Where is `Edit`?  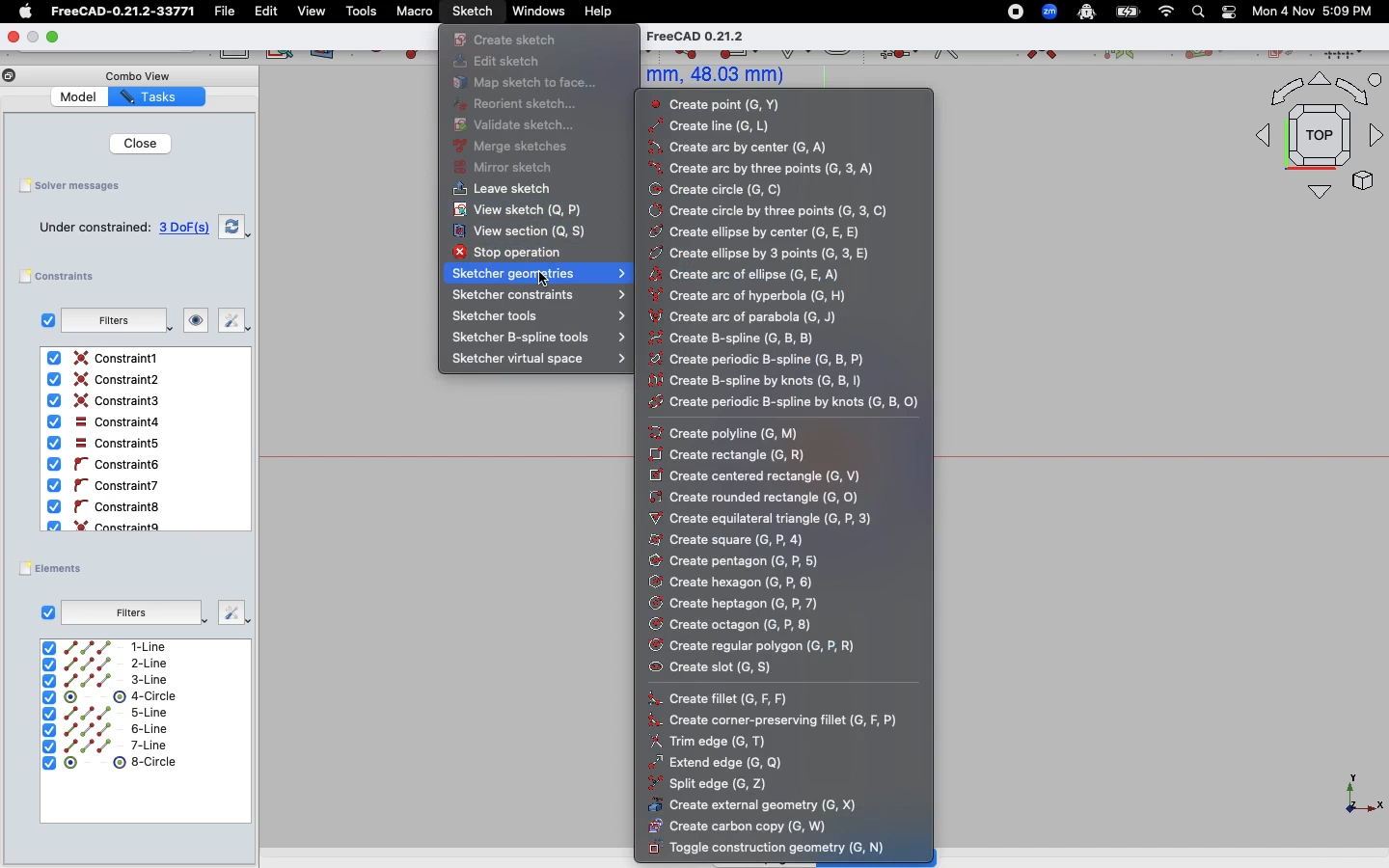 Edit is located at coordinates (266, 12).